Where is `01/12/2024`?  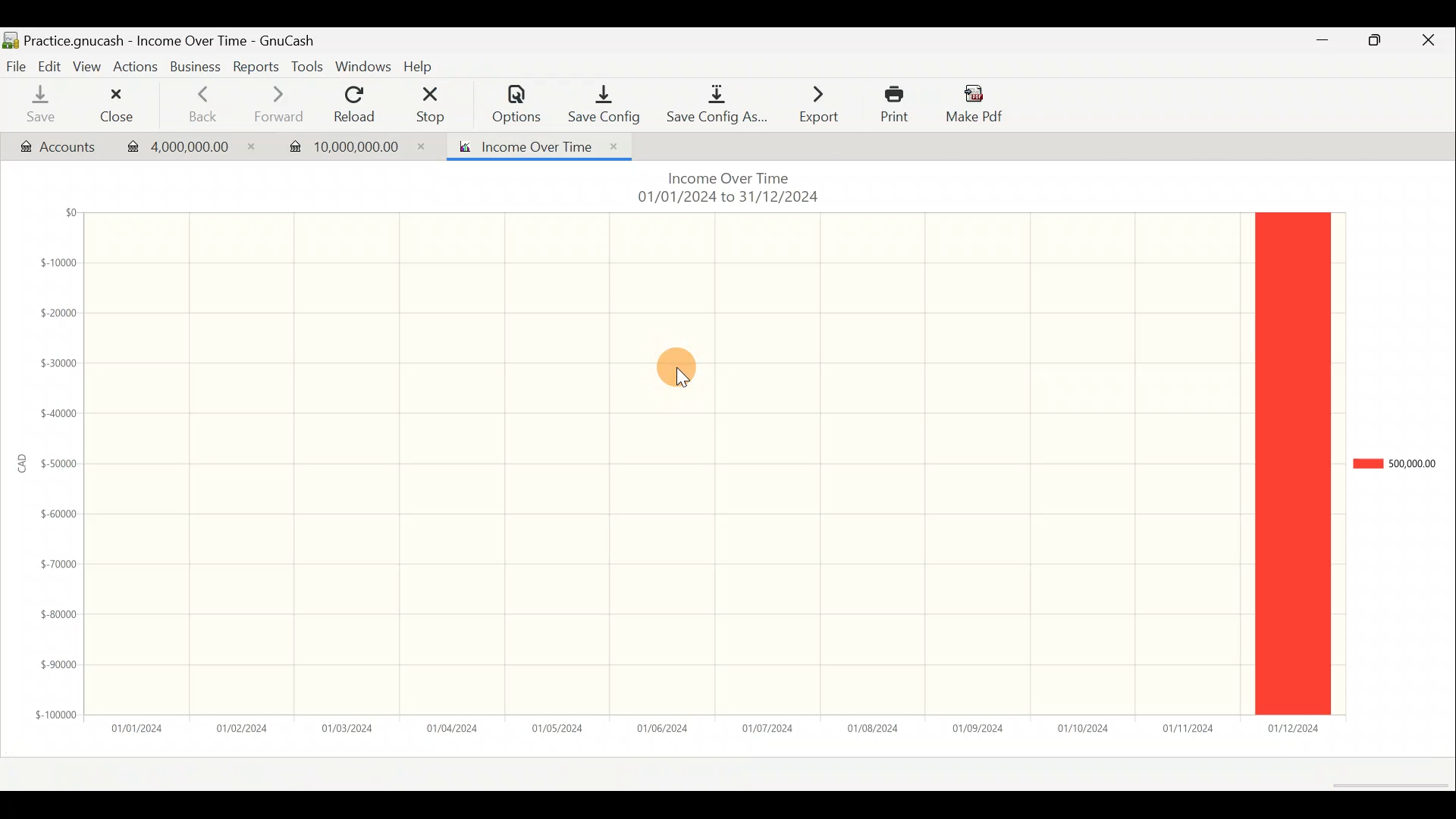
01/12/2024 is located at coordinates (1294, 727).